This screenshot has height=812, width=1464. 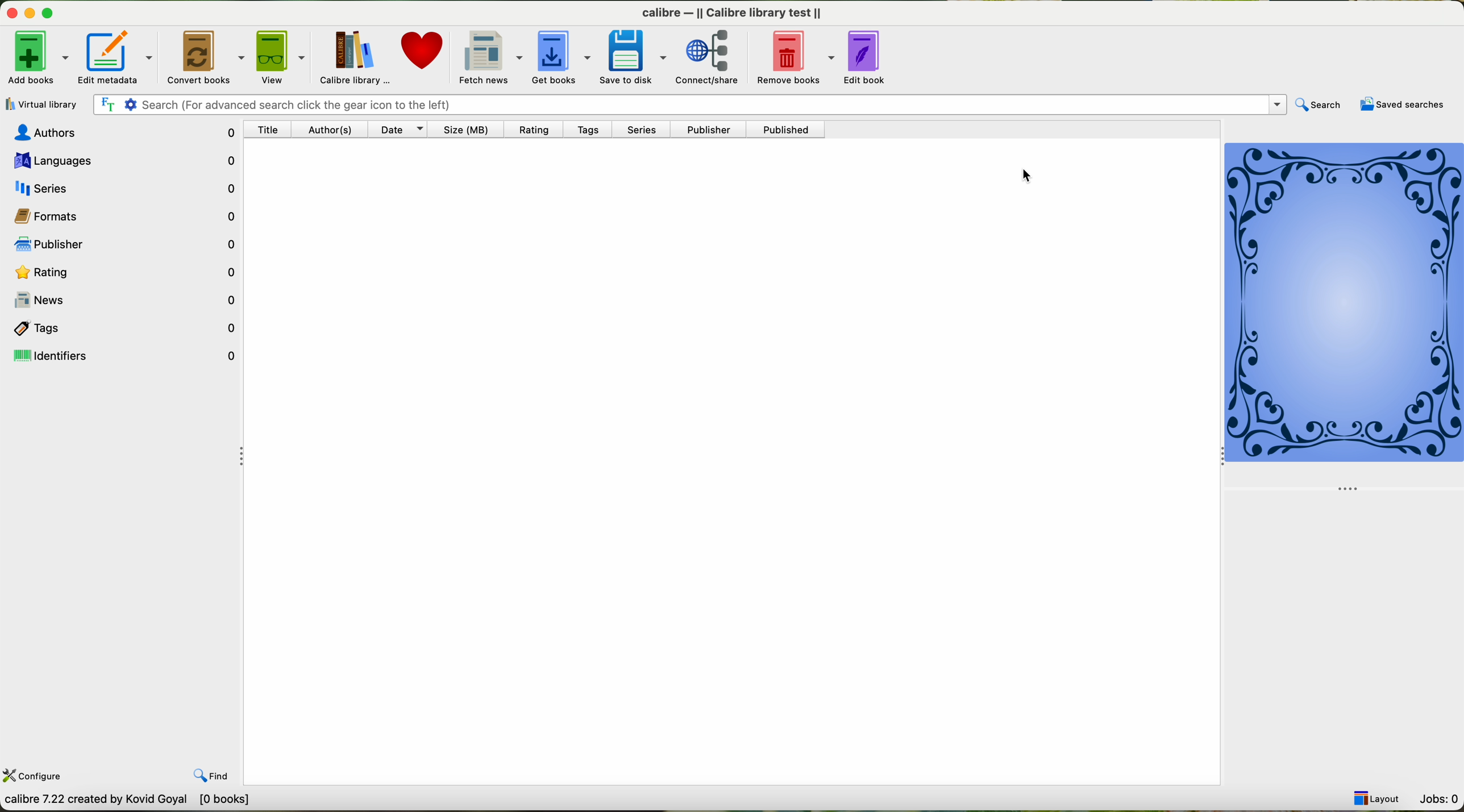 I want to click on published, so click(x=784, y=131).